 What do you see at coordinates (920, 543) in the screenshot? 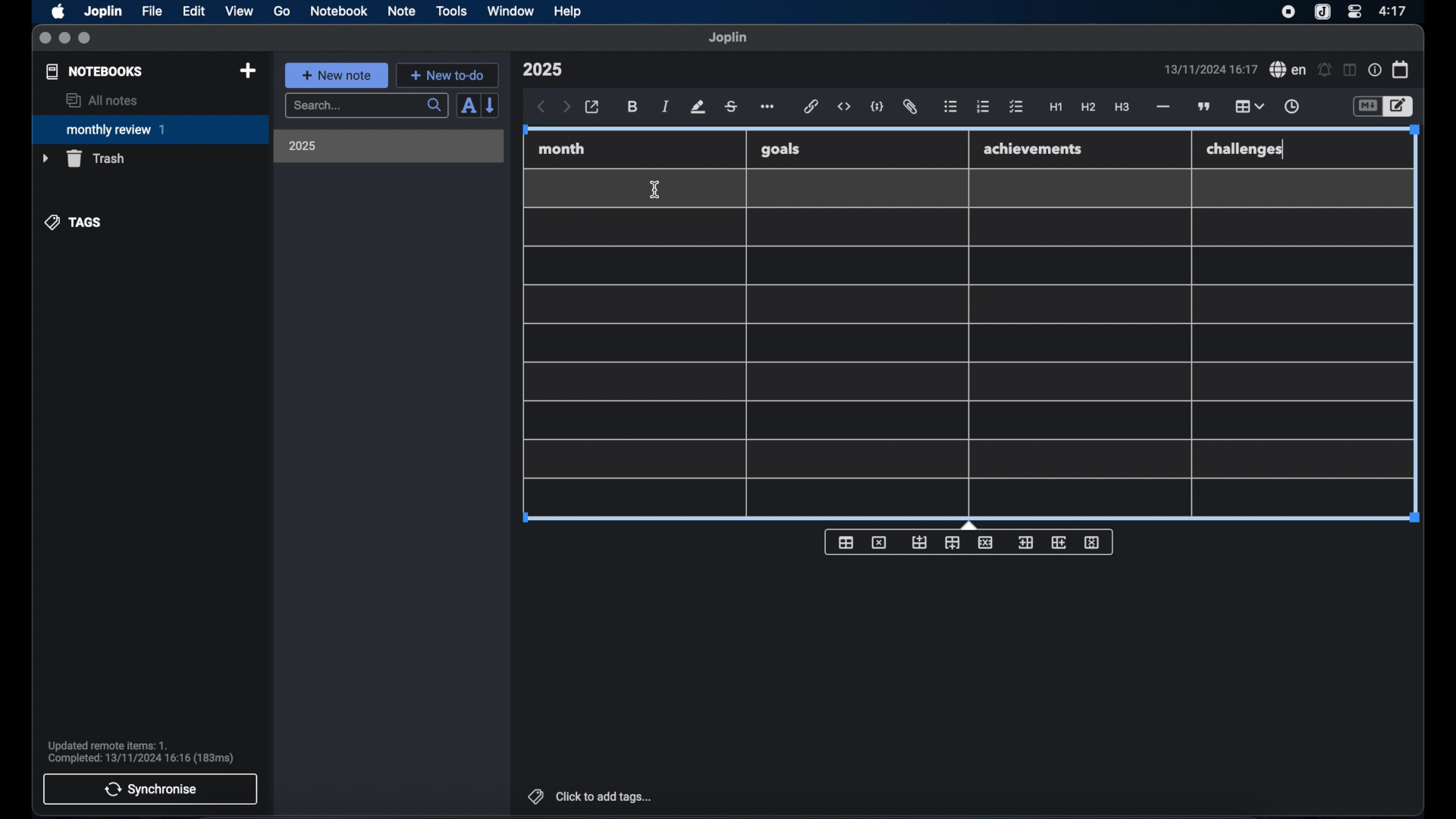
I see `insert row before` at bounding box center [920, 543].